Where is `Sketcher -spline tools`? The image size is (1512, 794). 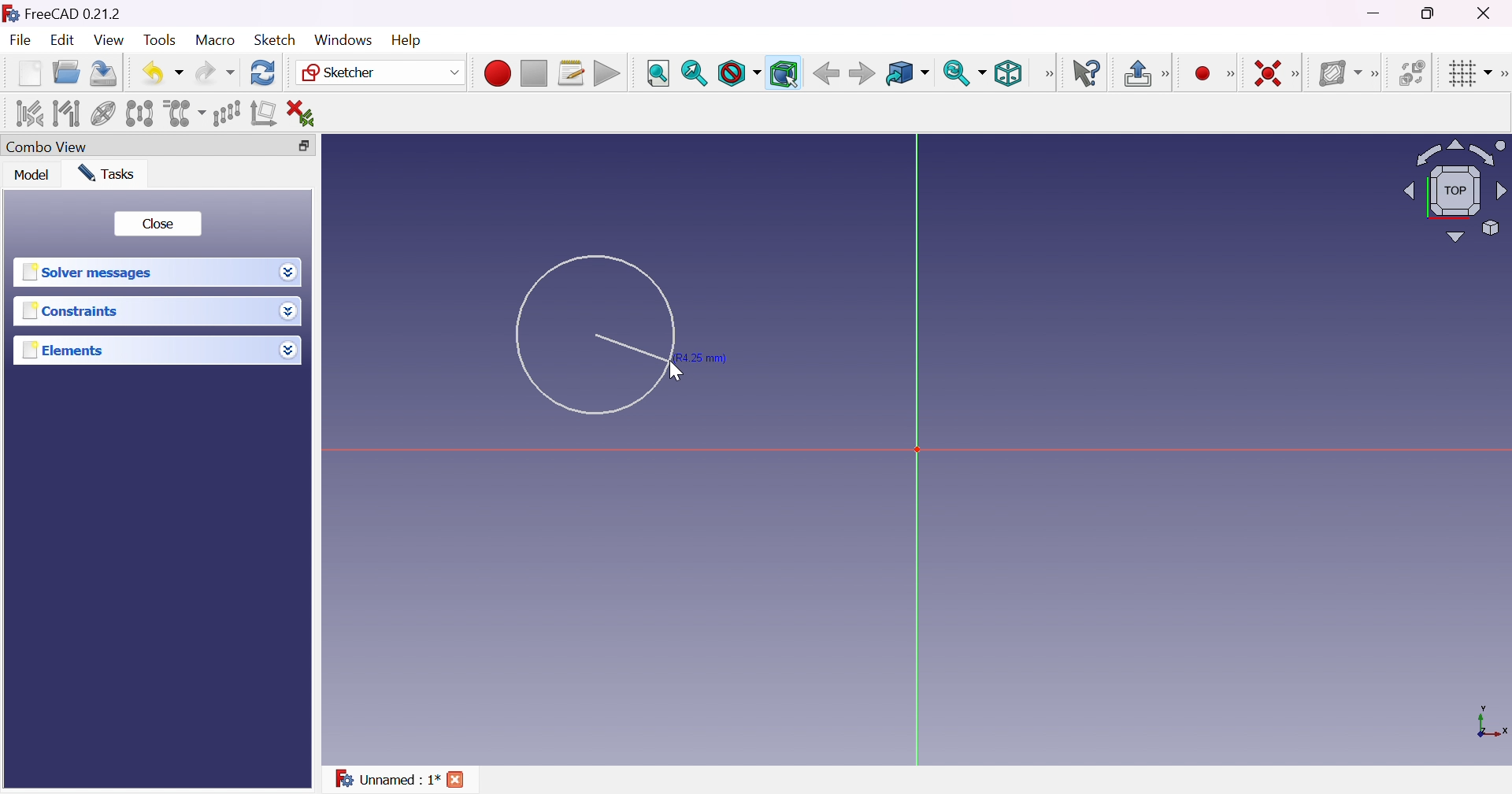 Sketcher -spline tools is located at coordinates (1377, 75).